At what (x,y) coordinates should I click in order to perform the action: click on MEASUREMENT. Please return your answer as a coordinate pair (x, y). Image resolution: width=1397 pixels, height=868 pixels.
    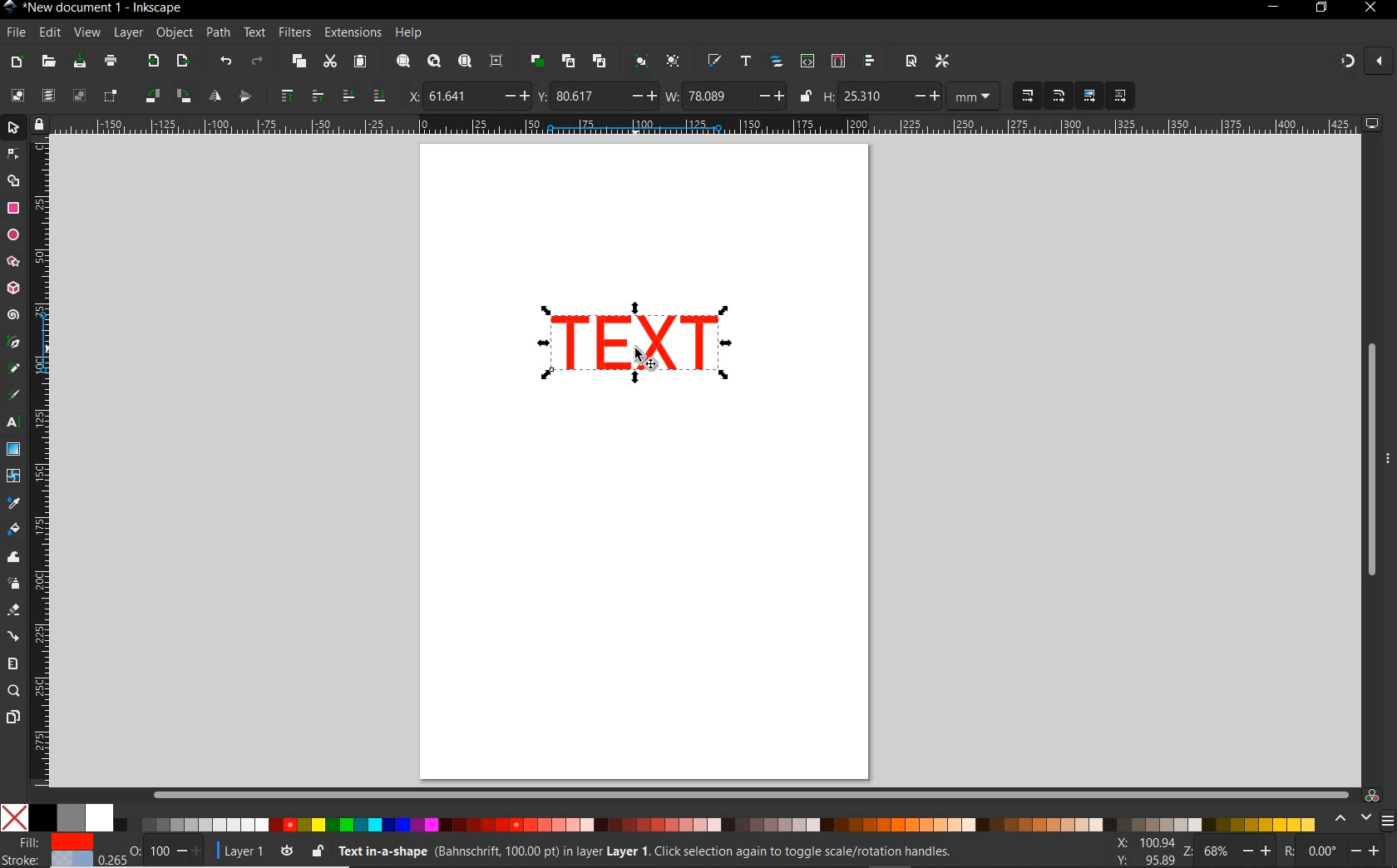
    Looking at the image, I should click on (976, 96).